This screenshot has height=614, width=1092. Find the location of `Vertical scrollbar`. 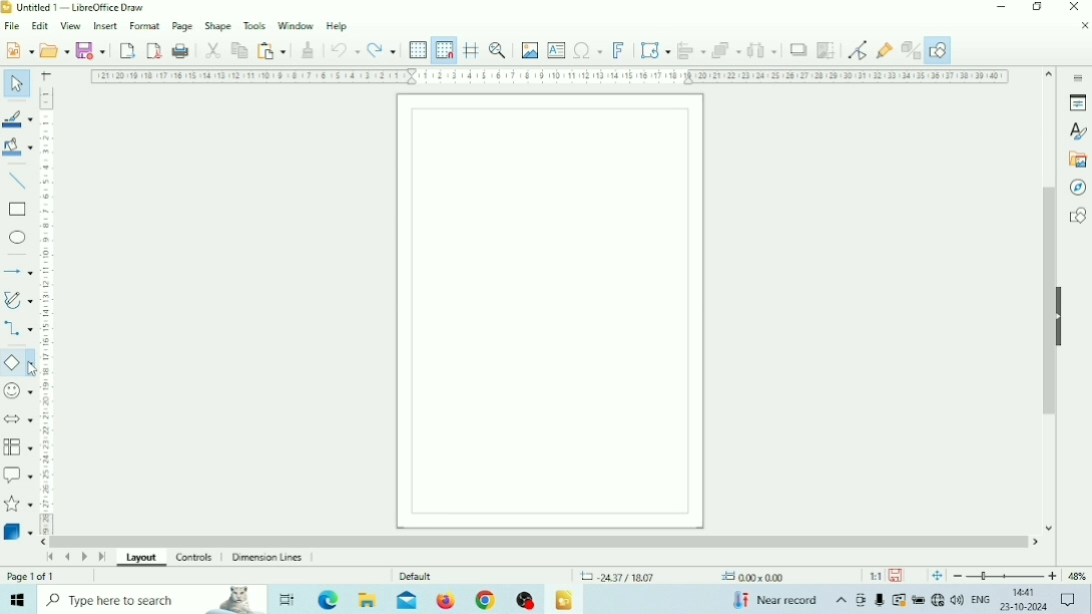

Vertical scrollbar is located at coordinates (1049, 301).